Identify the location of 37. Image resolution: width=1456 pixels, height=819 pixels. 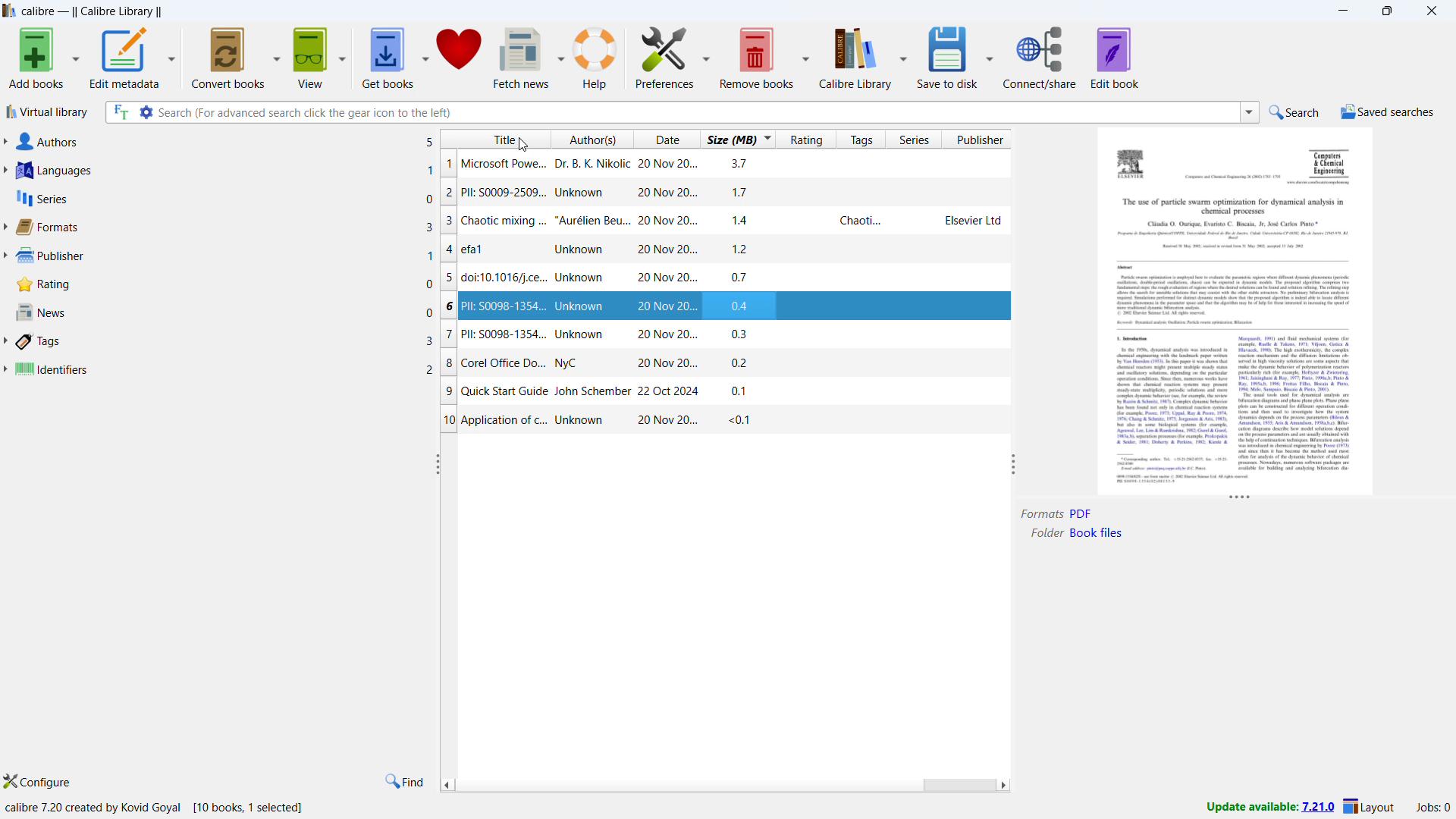
(739, 163).